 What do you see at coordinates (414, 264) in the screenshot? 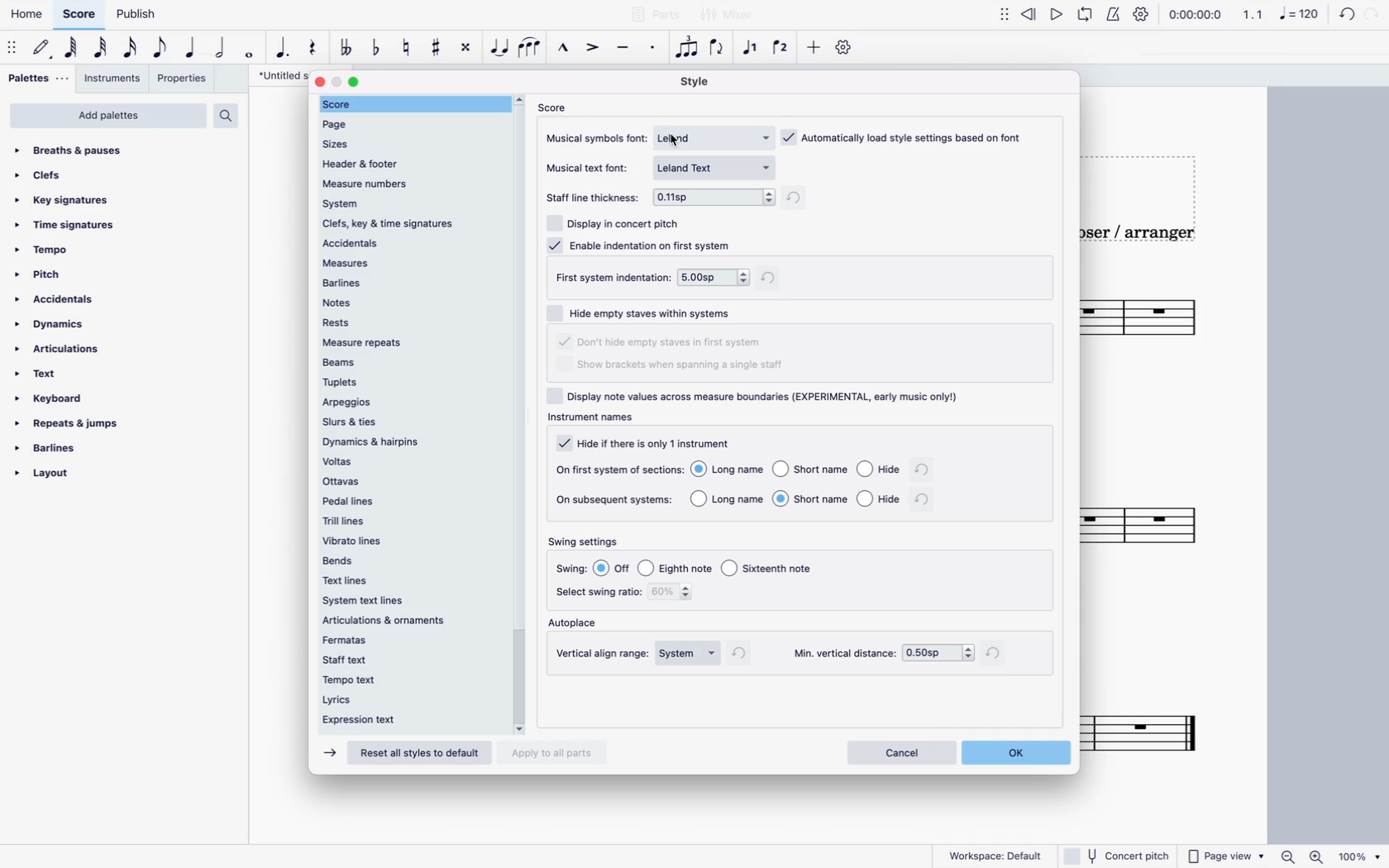
I see `measures` at bounding box center [414, 264].